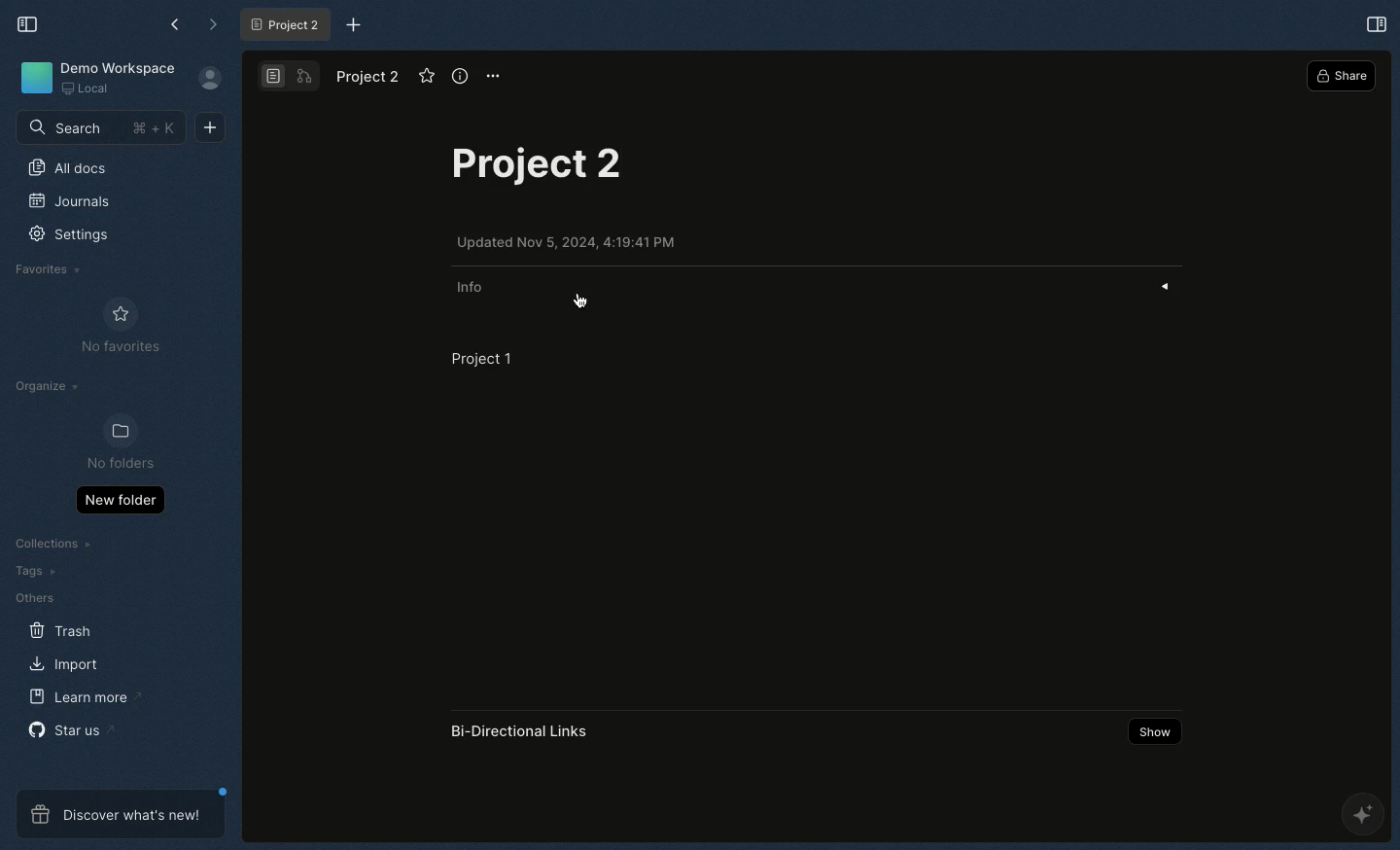  Describe the element at coordinates (118, 502) in the screenshot. I see `New folder` at that location.